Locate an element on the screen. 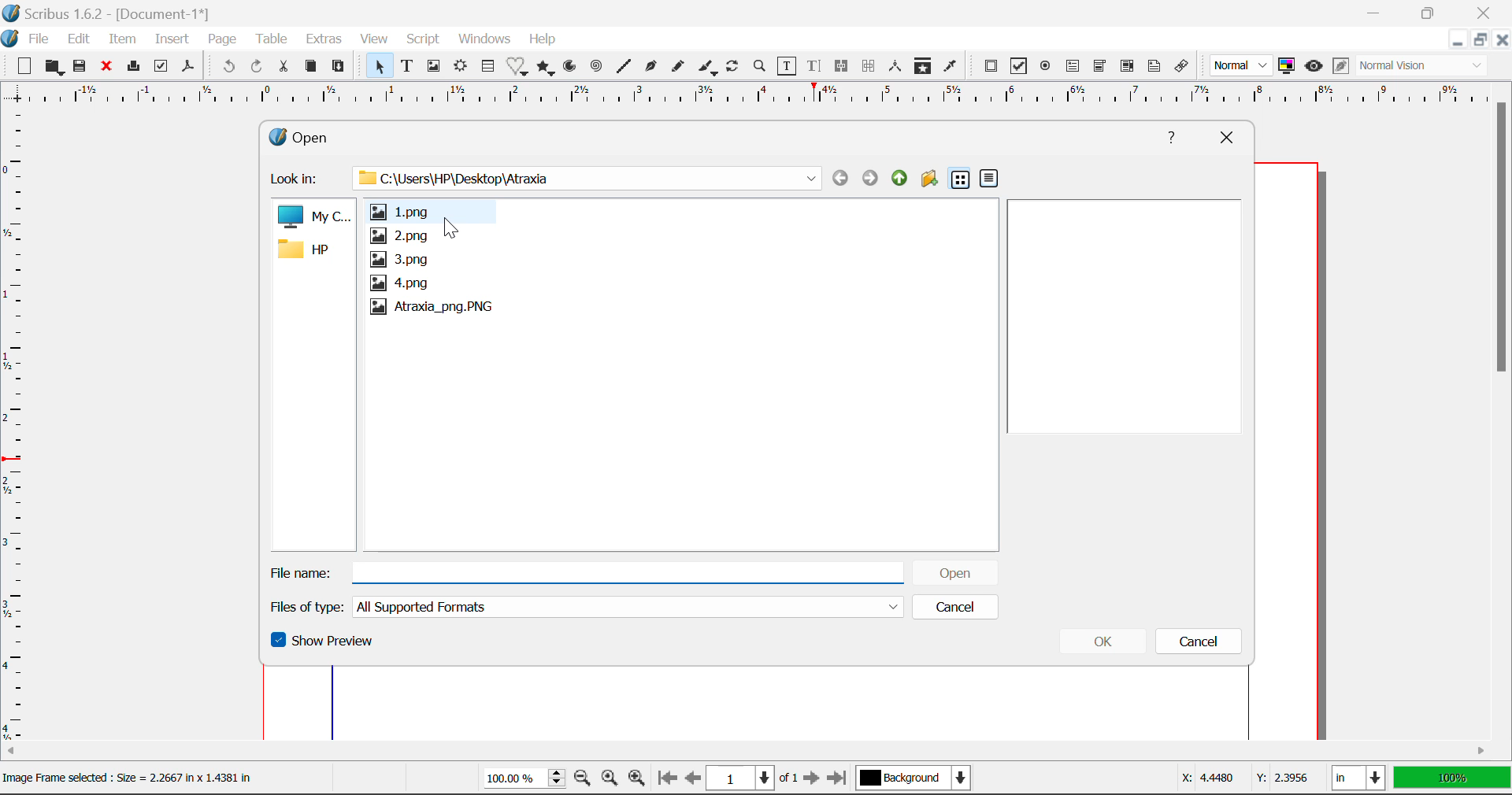 Image resolution: width=1512 pixels, height=795 pixels. Background is located at coordinates (916, 779).